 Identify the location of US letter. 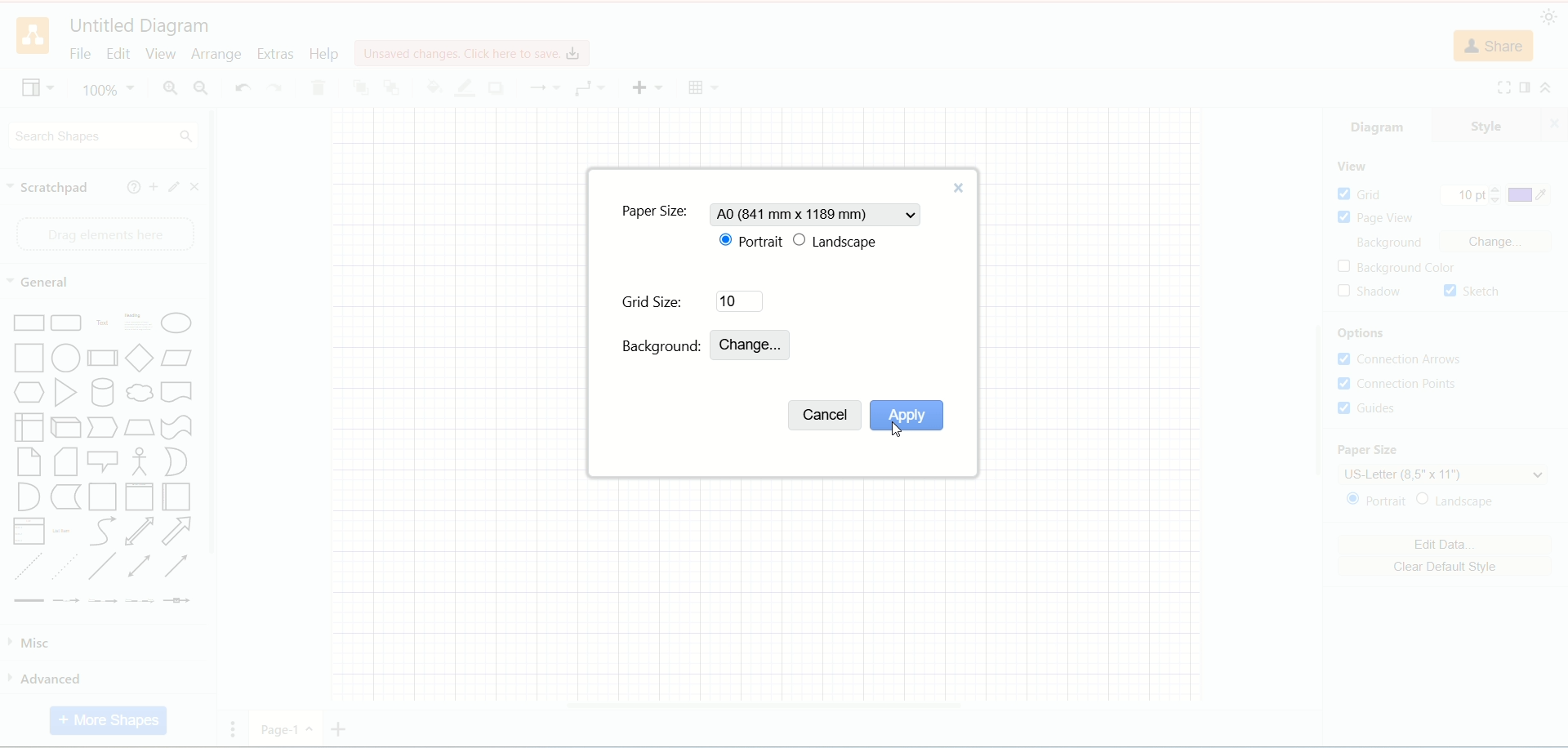
(1445, 474).